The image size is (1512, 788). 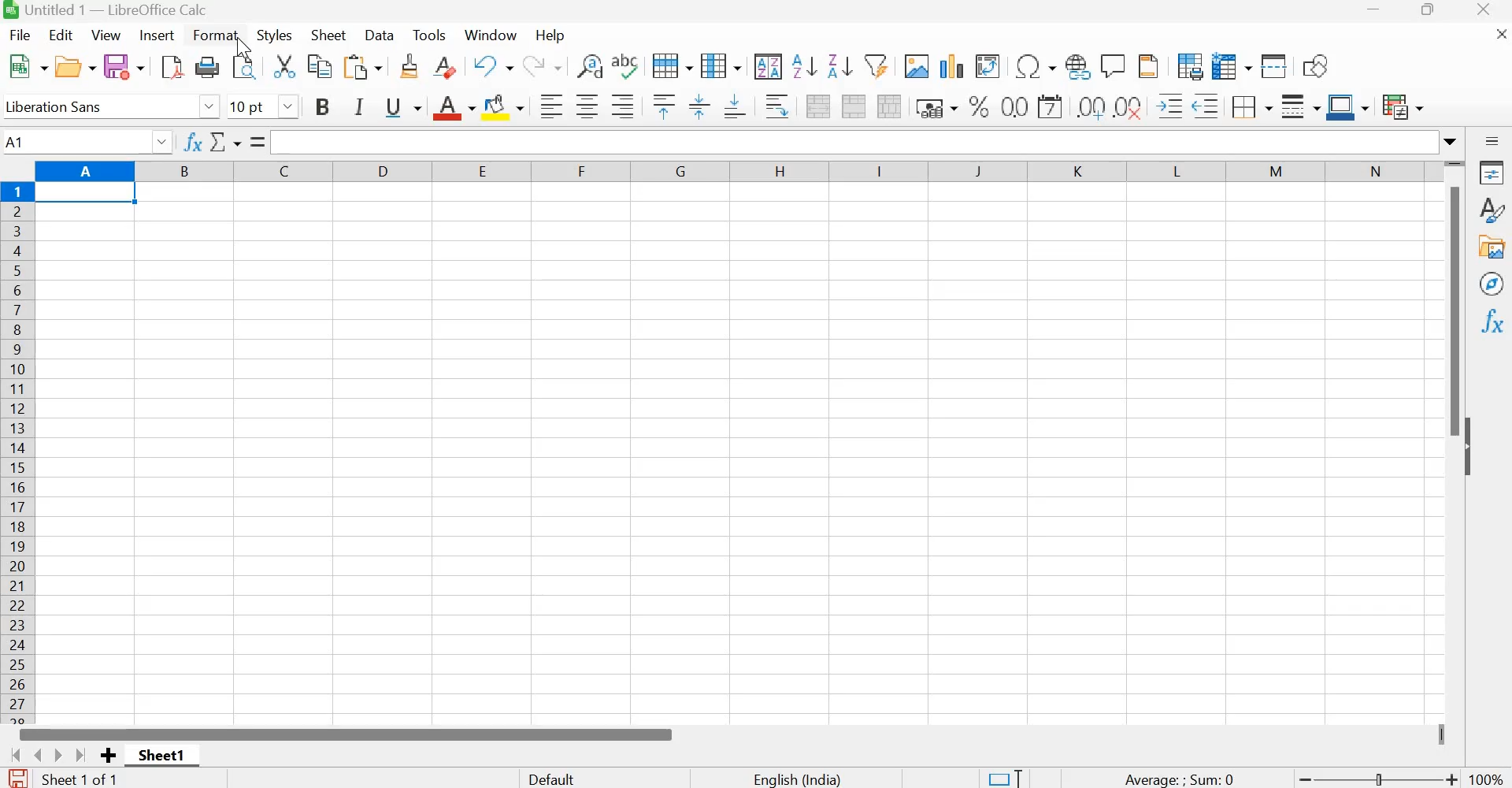 I want to click on Scroll to first sheet, so click(x=9, y=752).